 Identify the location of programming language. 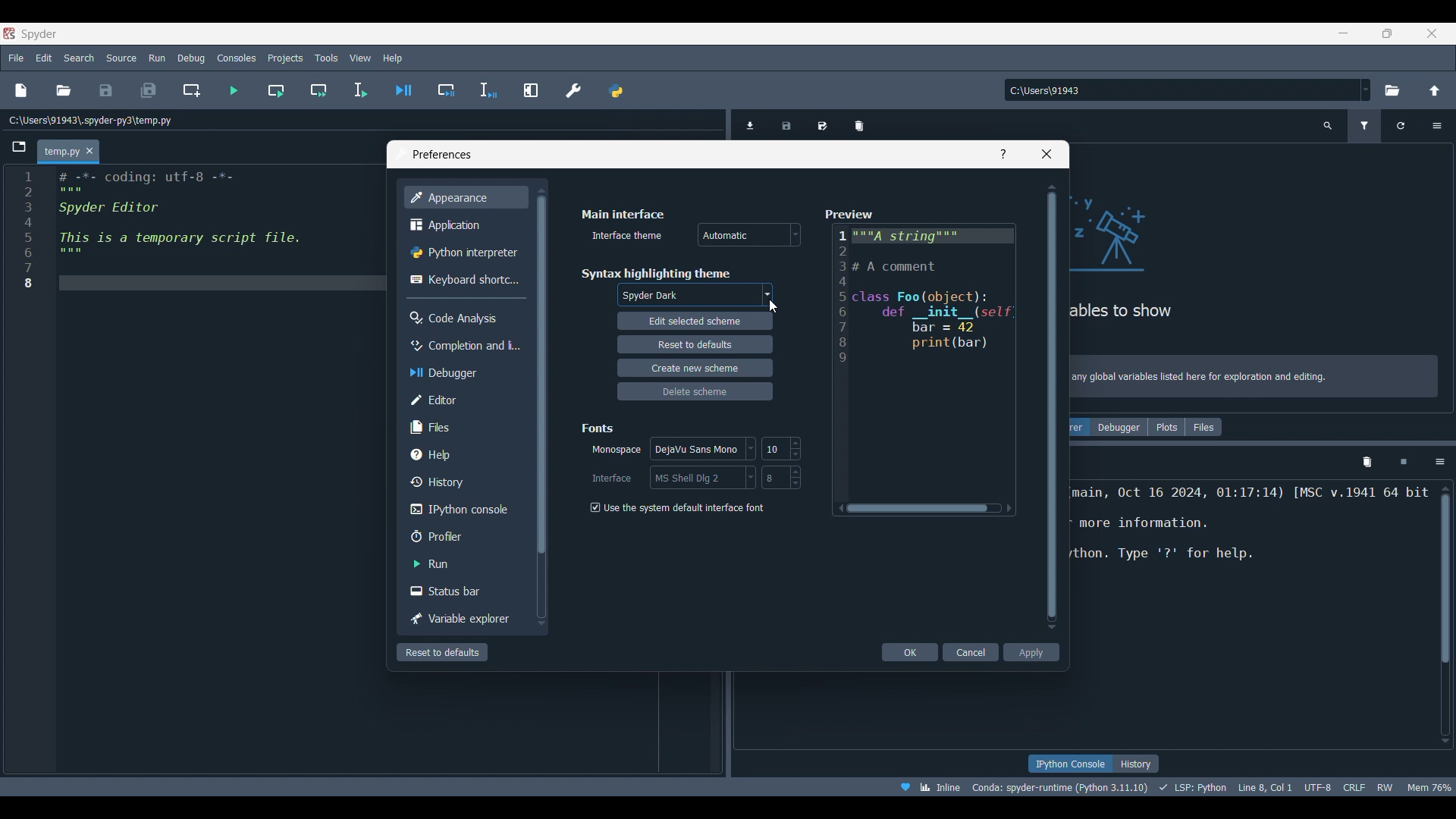
(1193, 787).